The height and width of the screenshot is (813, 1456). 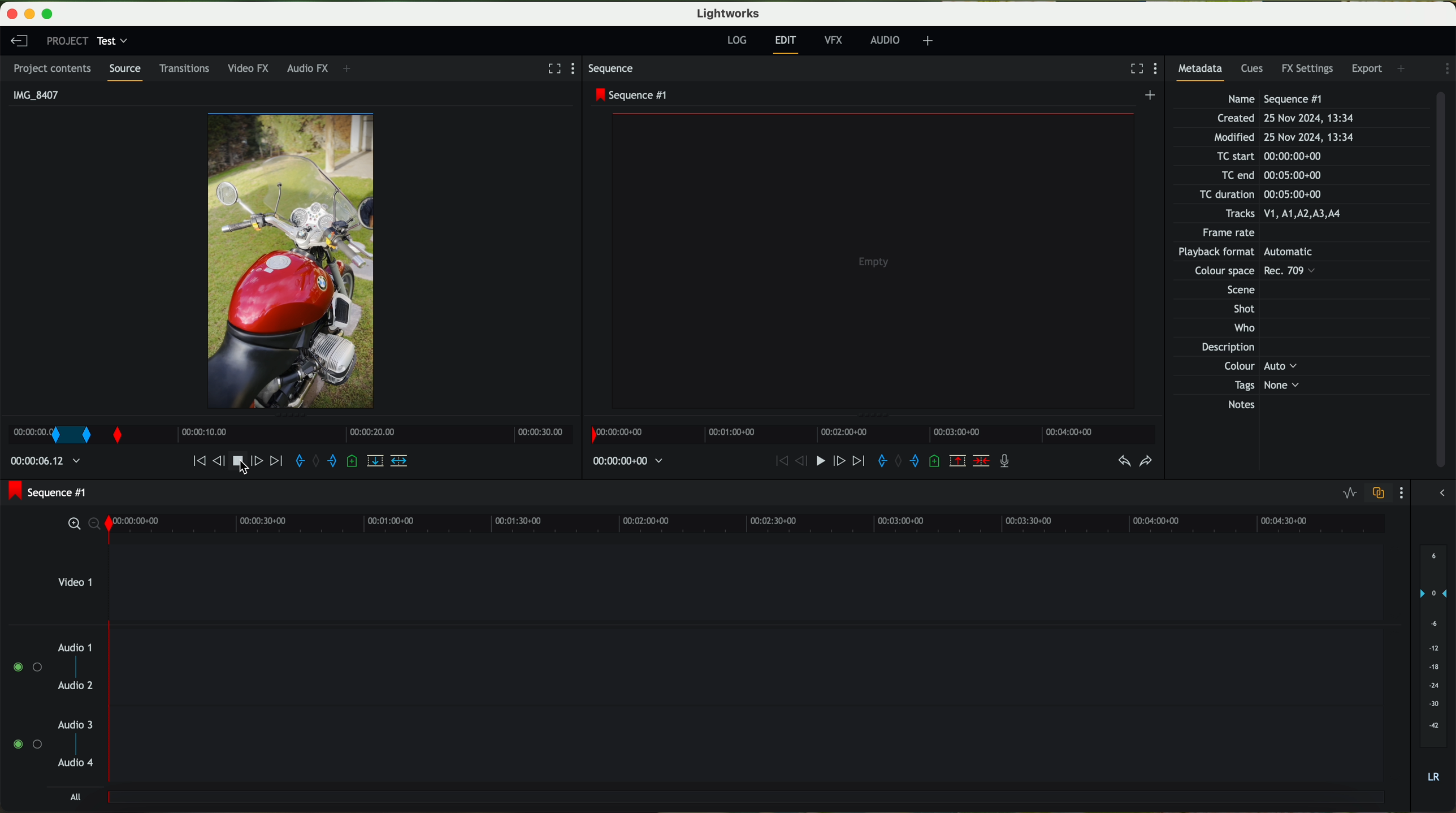 What do you see at coordinates (241, 461) in the screenshot?
I see ` play` at bounding box center [241, 461].